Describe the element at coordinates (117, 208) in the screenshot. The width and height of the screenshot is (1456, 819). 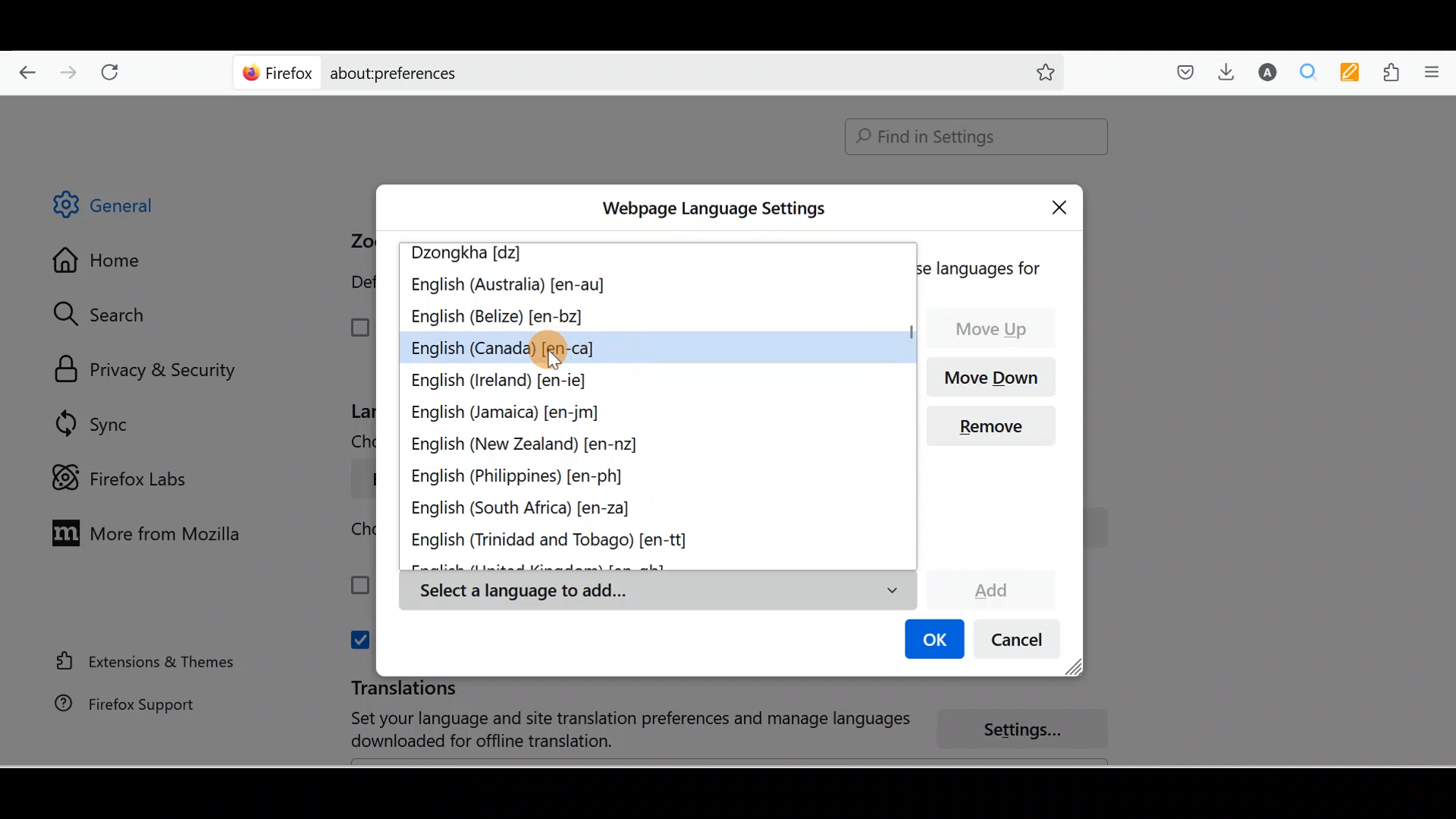
I see `General` at that location.